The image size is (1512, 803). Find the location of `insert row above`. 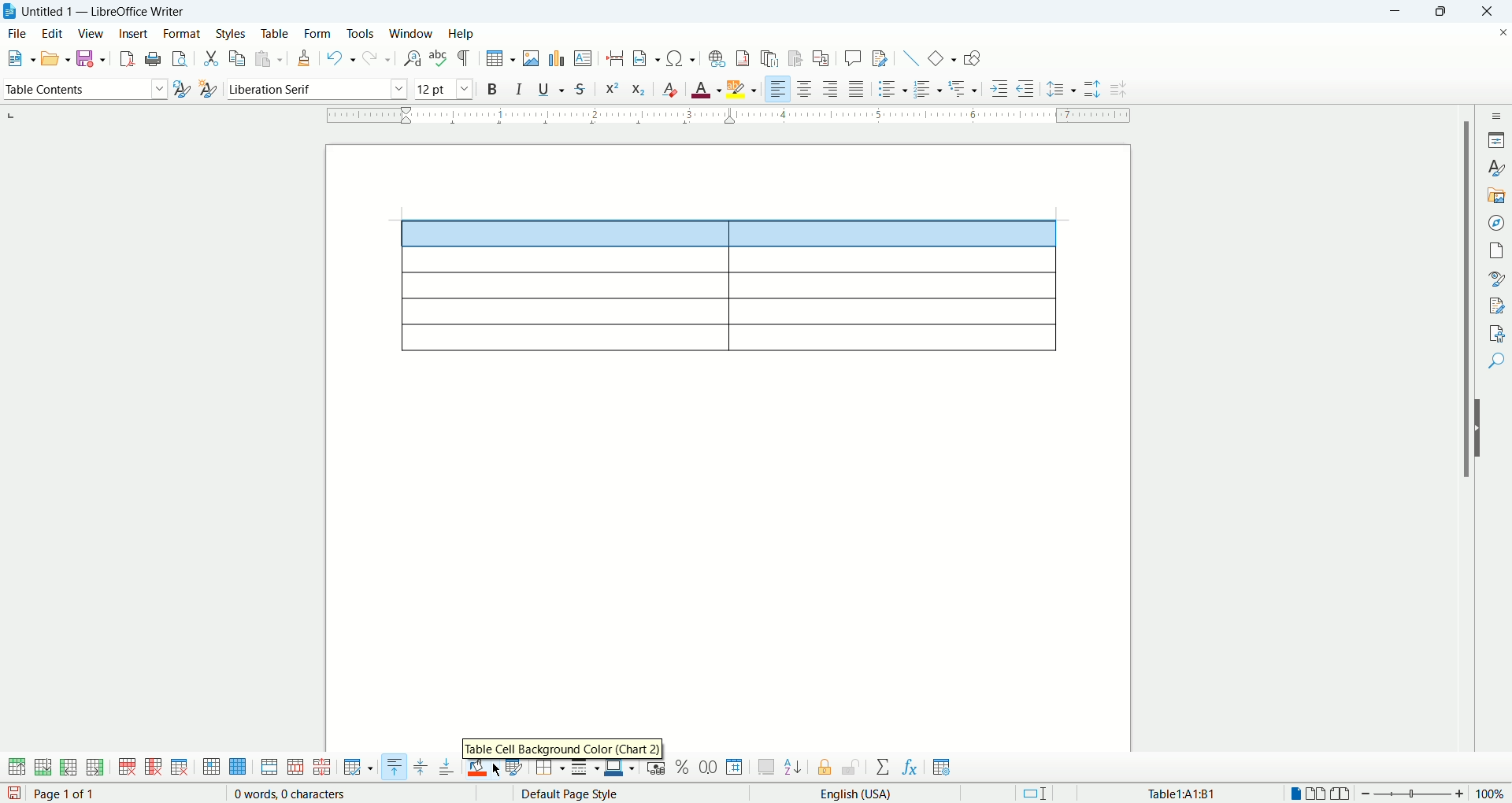

insert row above is located at coordinates (18, 767).